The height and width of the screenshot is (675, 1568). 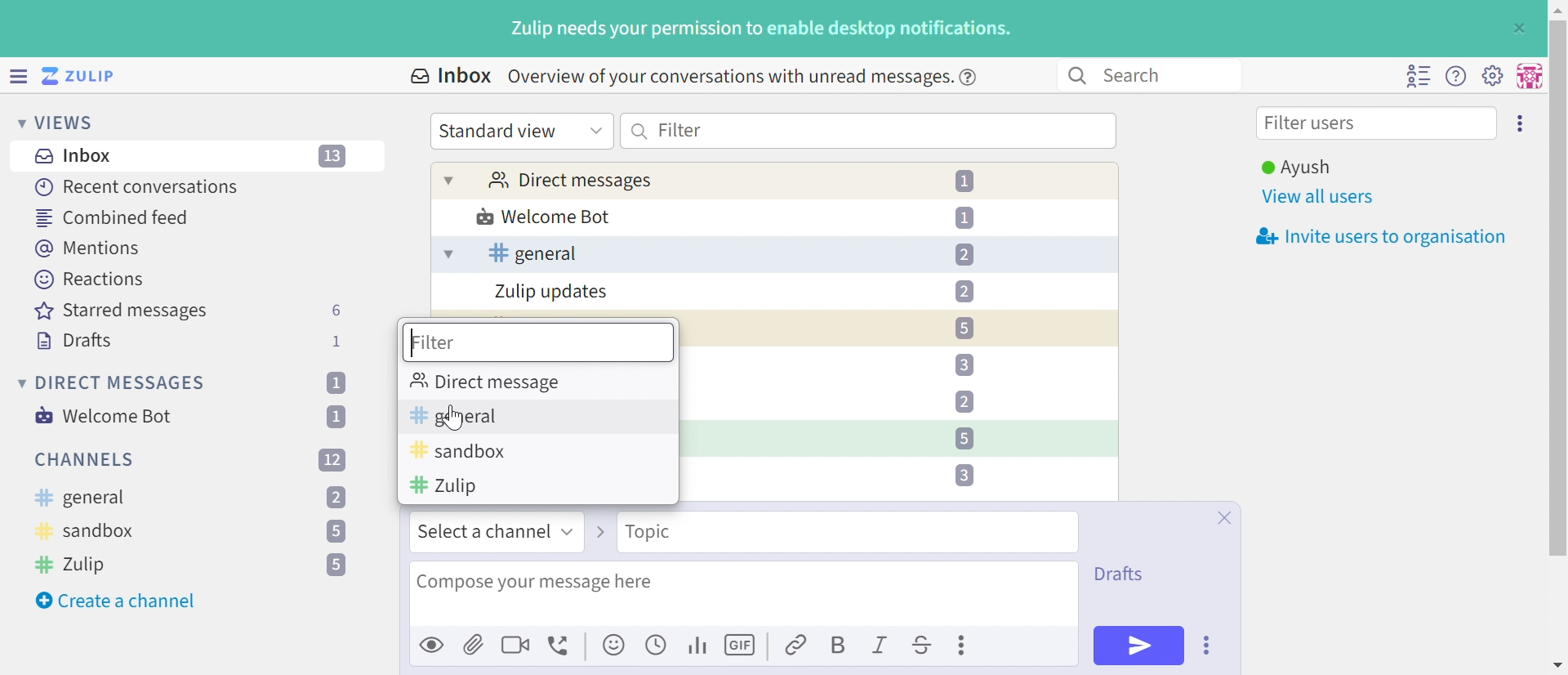 What do you see at coordinates (1319, 198) in the screenshot?
I see `View all users` at bounding box center [1319, 198].